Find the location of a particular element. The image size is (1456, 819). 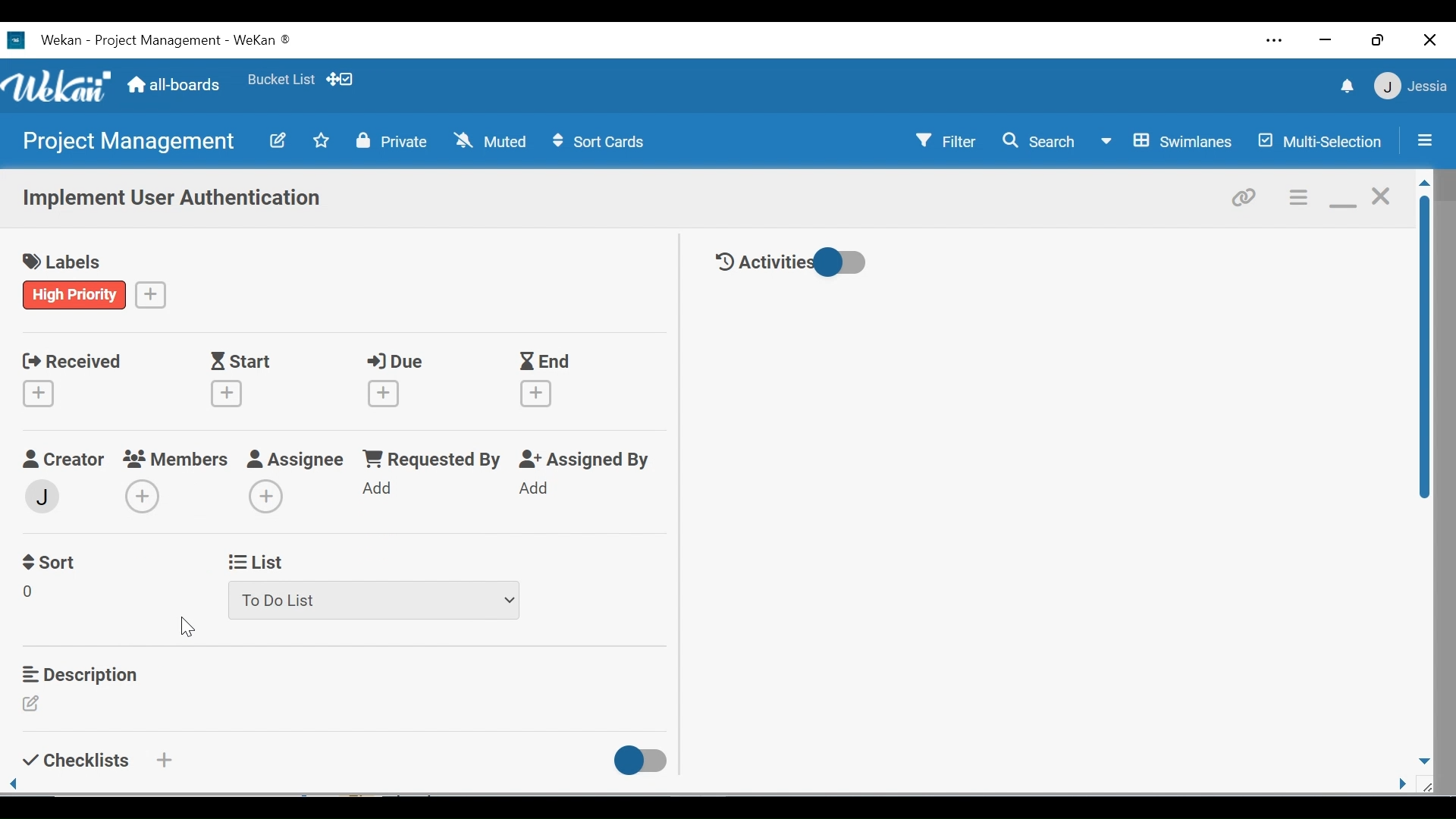

vertical scrollbar is located at coordinates (1425, 347).